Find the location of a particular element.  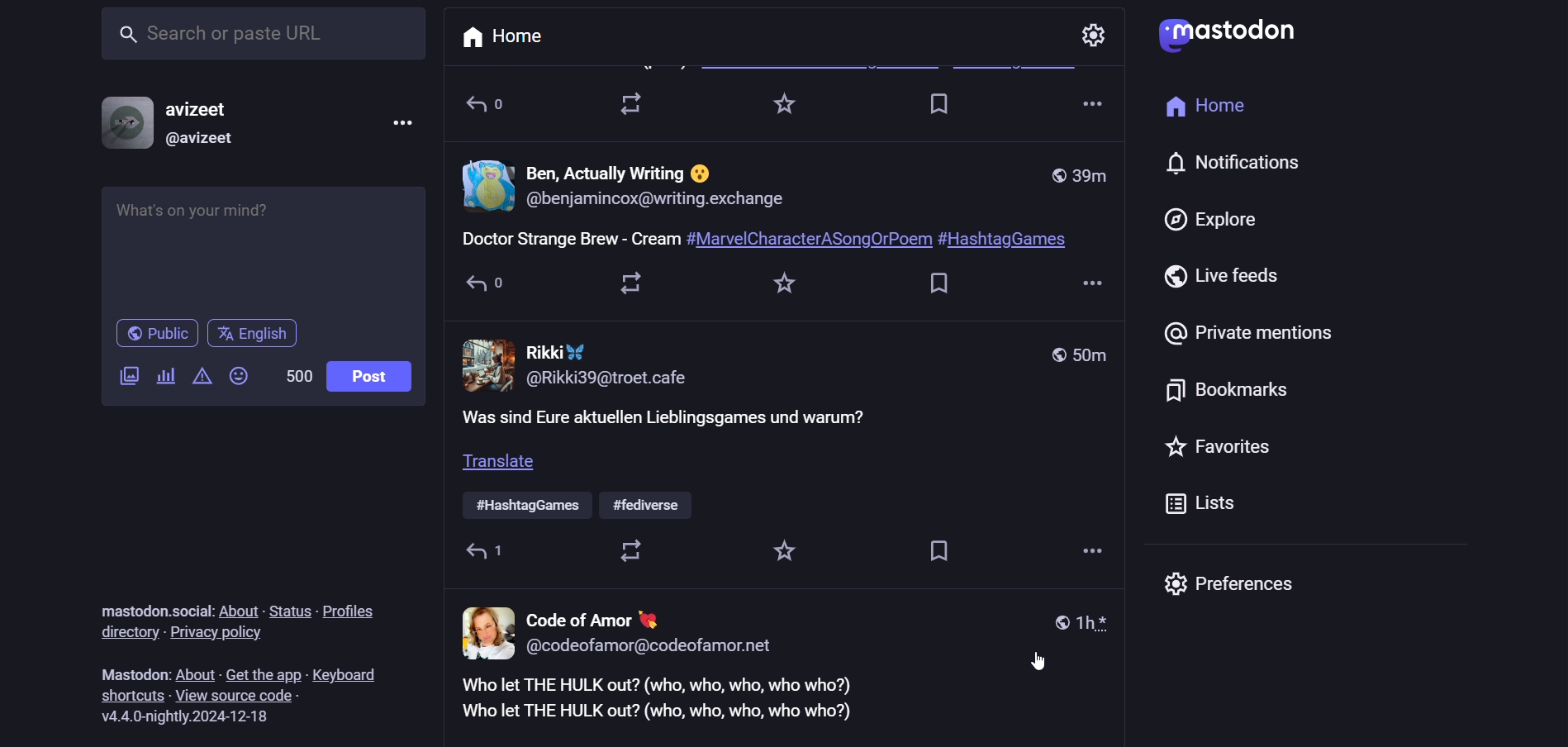

text is located at coordinates (128, 673).